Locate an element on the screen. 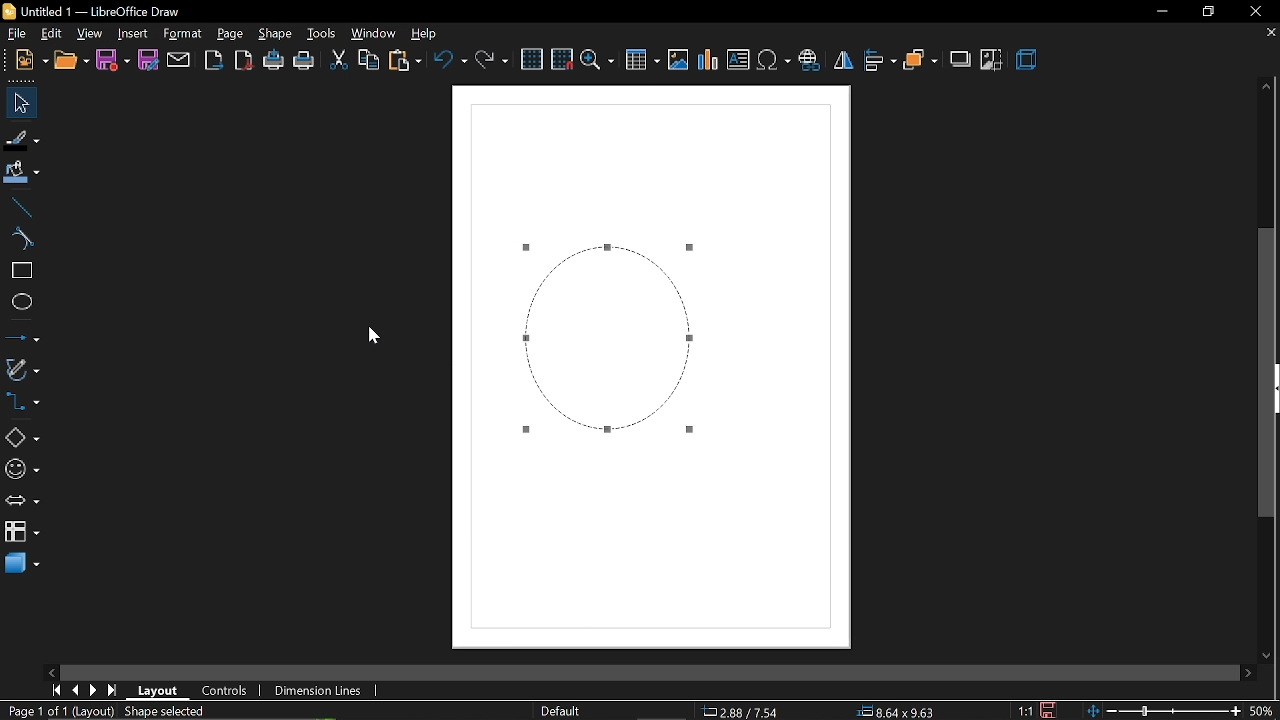 The width and height of the screenshot is (1280, 720). go to last page is located at coordinates (114, 691).